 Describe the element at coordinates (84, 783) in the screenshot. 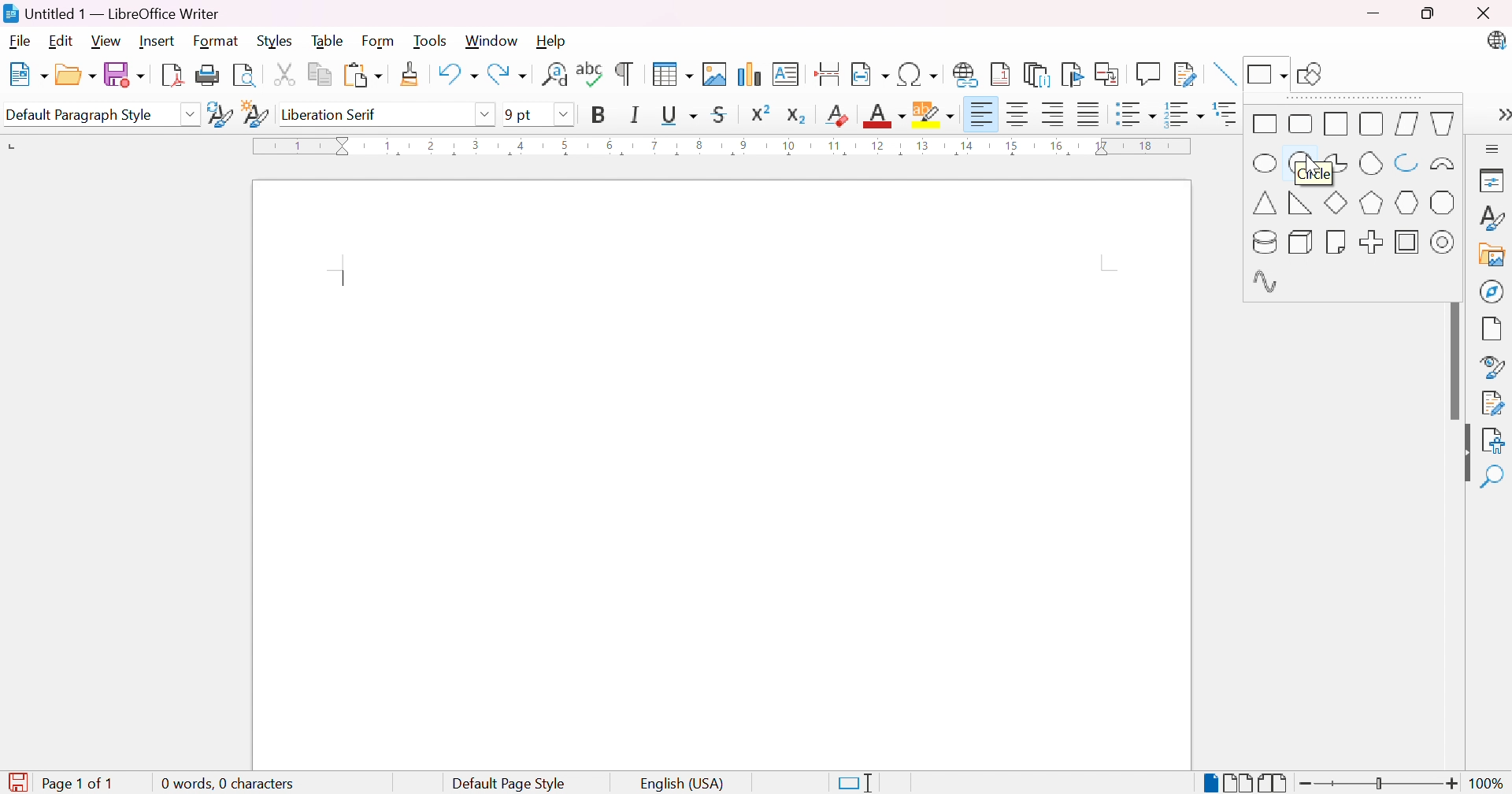

I see `Page 1 of 1` at that location.